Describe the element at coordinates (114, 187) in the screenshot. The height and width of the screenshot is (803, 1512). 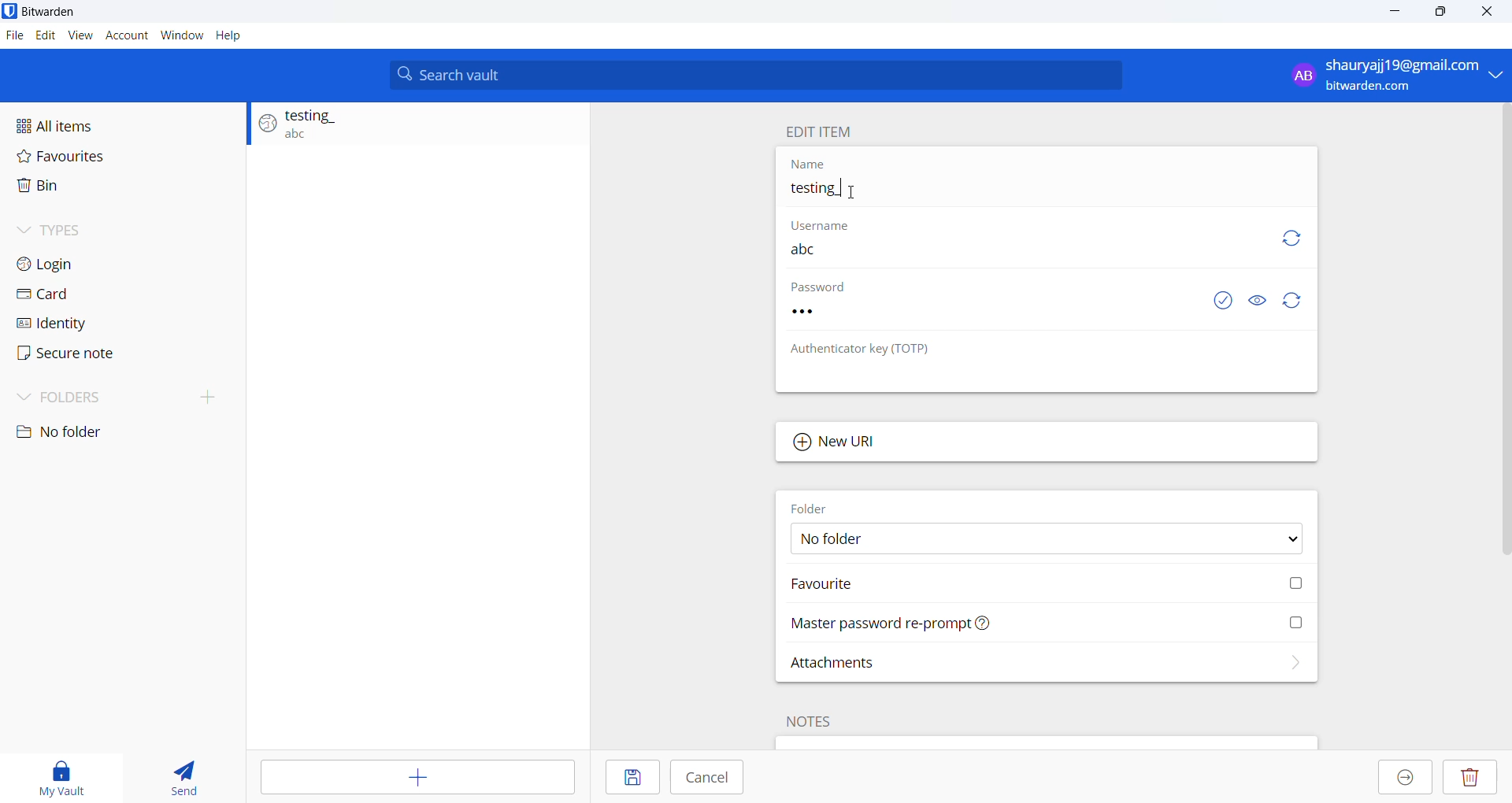
I see `Bin` at that location.